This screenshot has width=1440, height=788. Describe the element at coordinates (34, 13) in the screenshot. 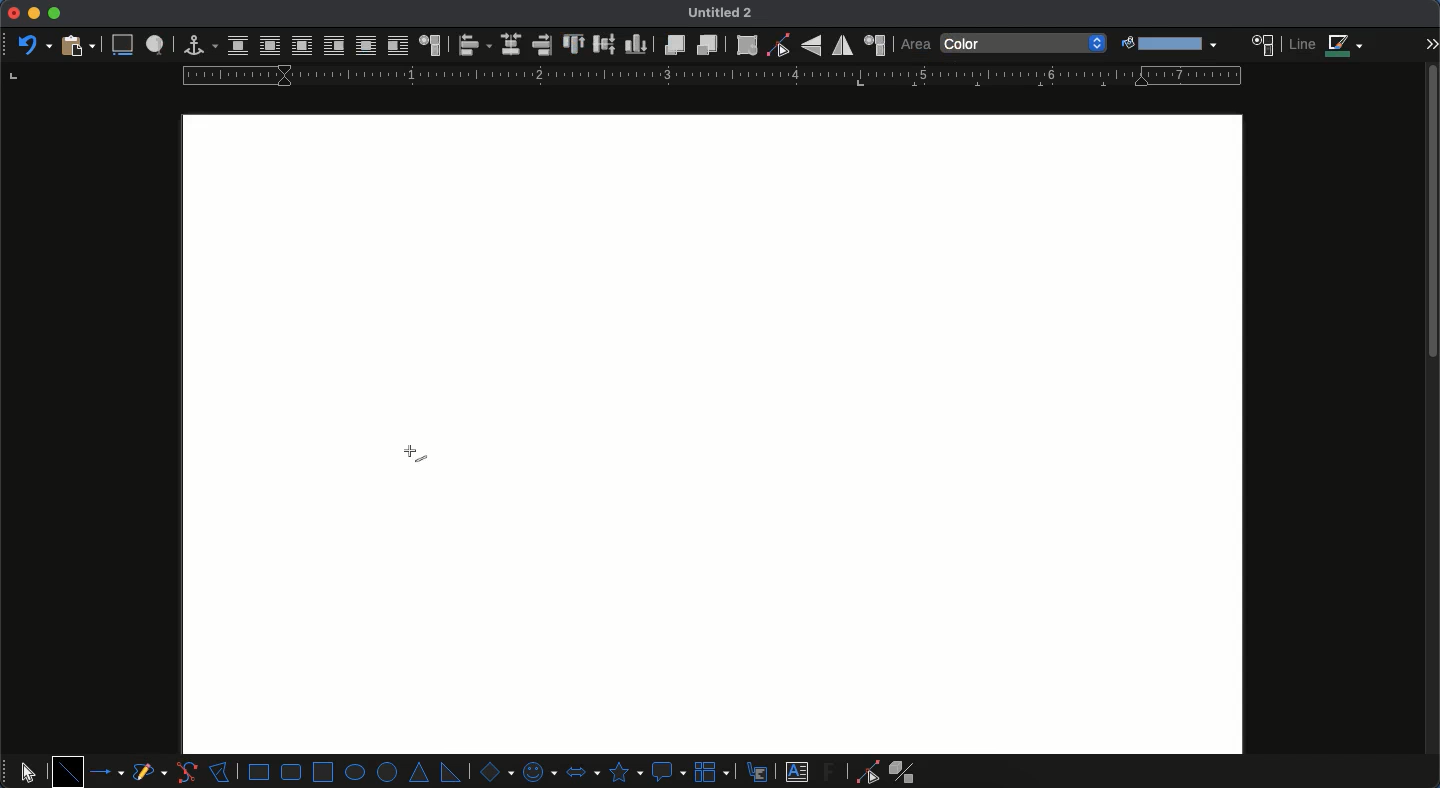

I see `minimize` at that location.